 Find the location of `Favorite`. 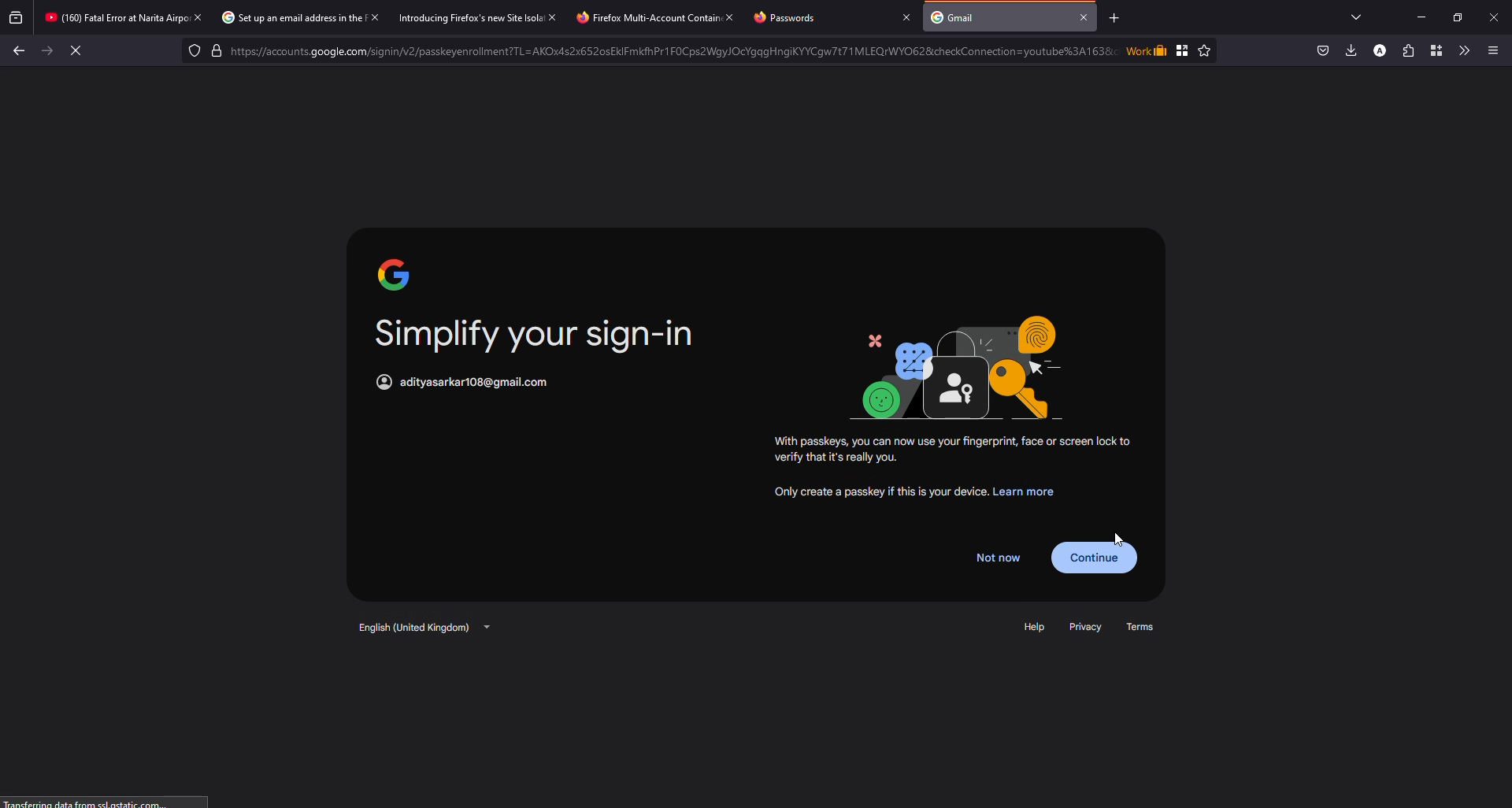

Favorite is located at coordinates (1205, 50).